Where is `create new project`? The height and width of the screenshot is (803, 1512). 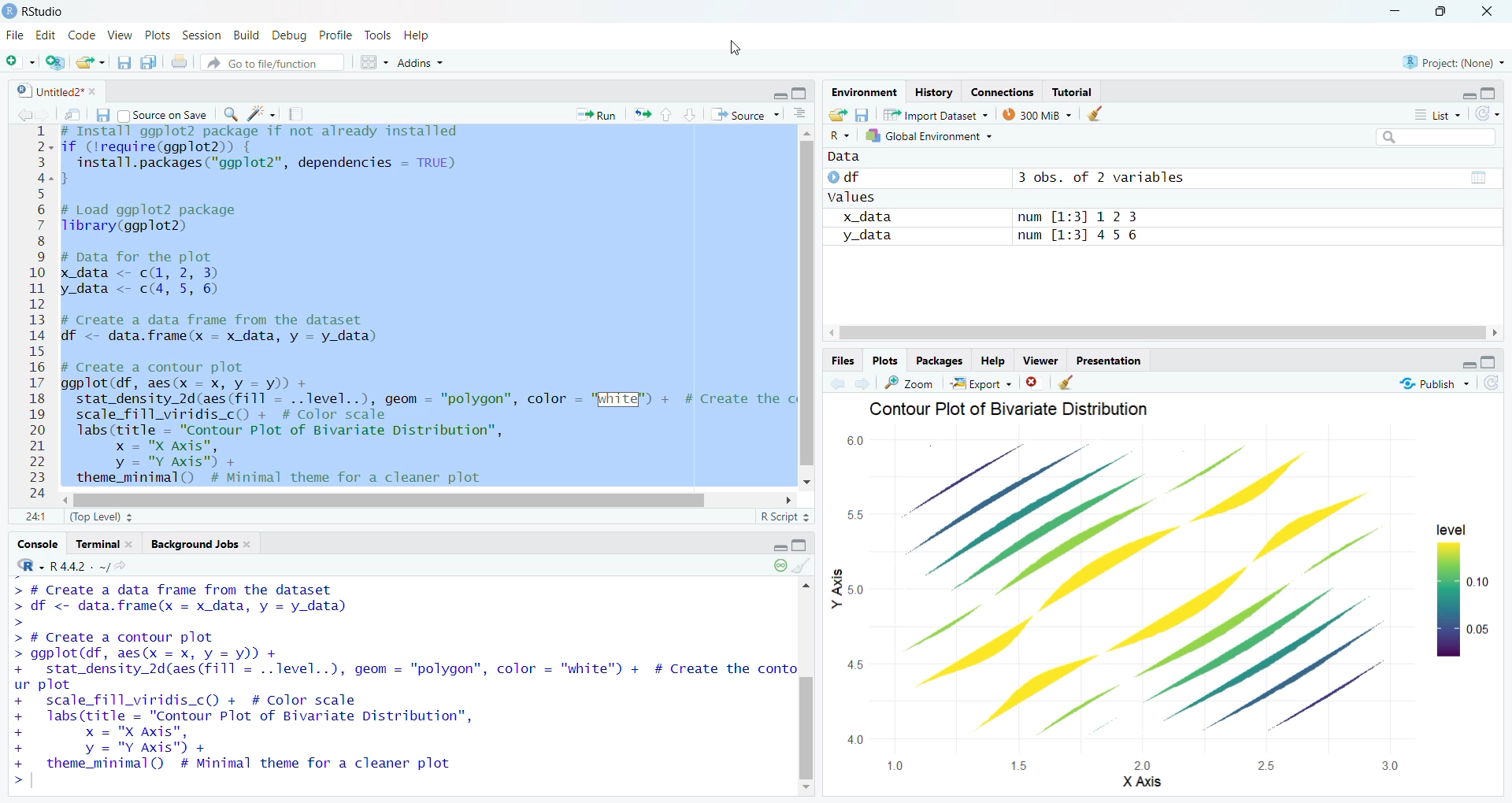 create new project is located at coordinates (53, 61).